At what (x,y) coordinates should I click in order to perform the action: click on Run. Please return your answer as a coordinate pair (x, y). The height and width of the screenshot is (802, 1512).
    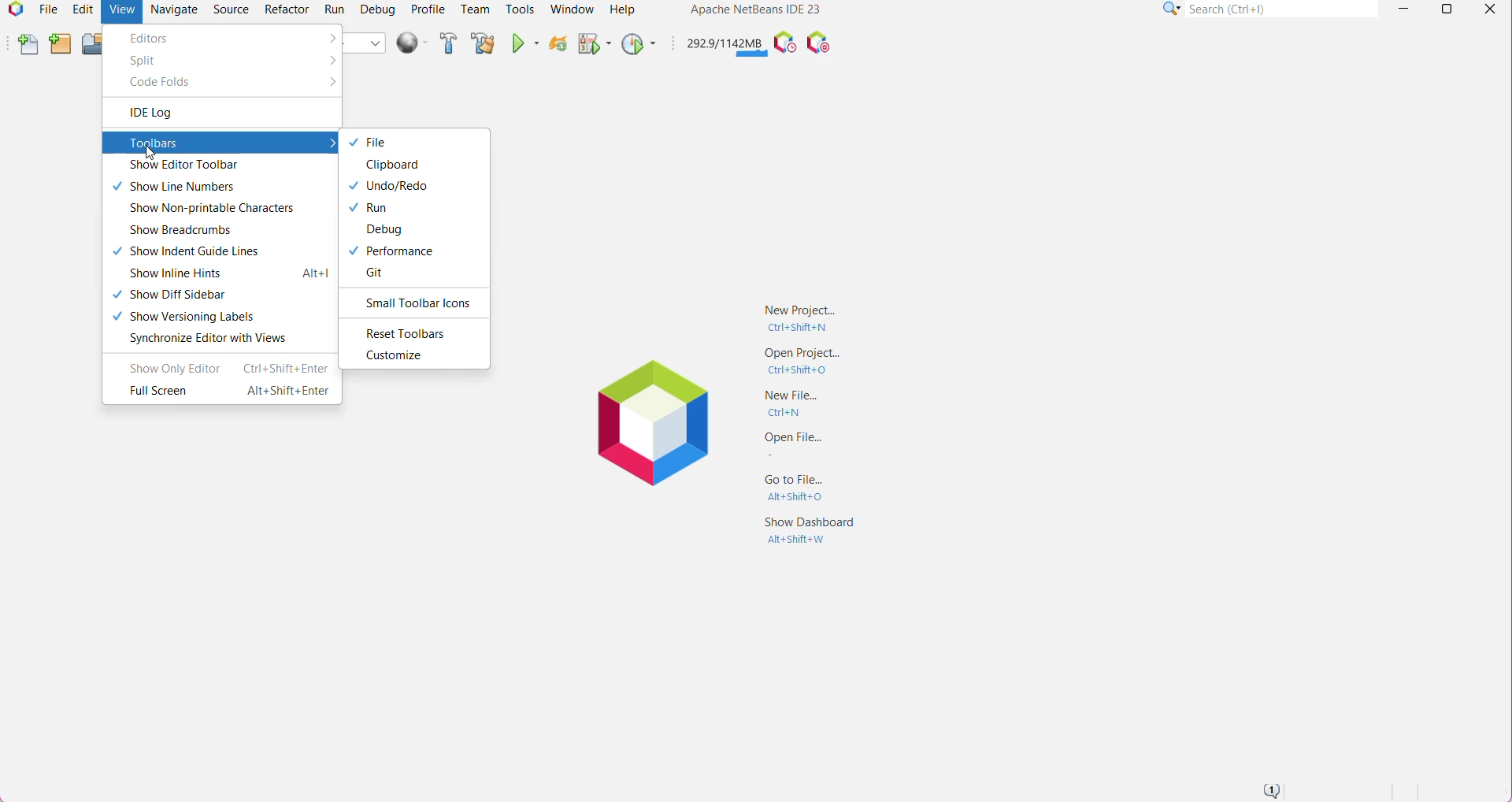
    Looking at the image, I should click on (375, 209).